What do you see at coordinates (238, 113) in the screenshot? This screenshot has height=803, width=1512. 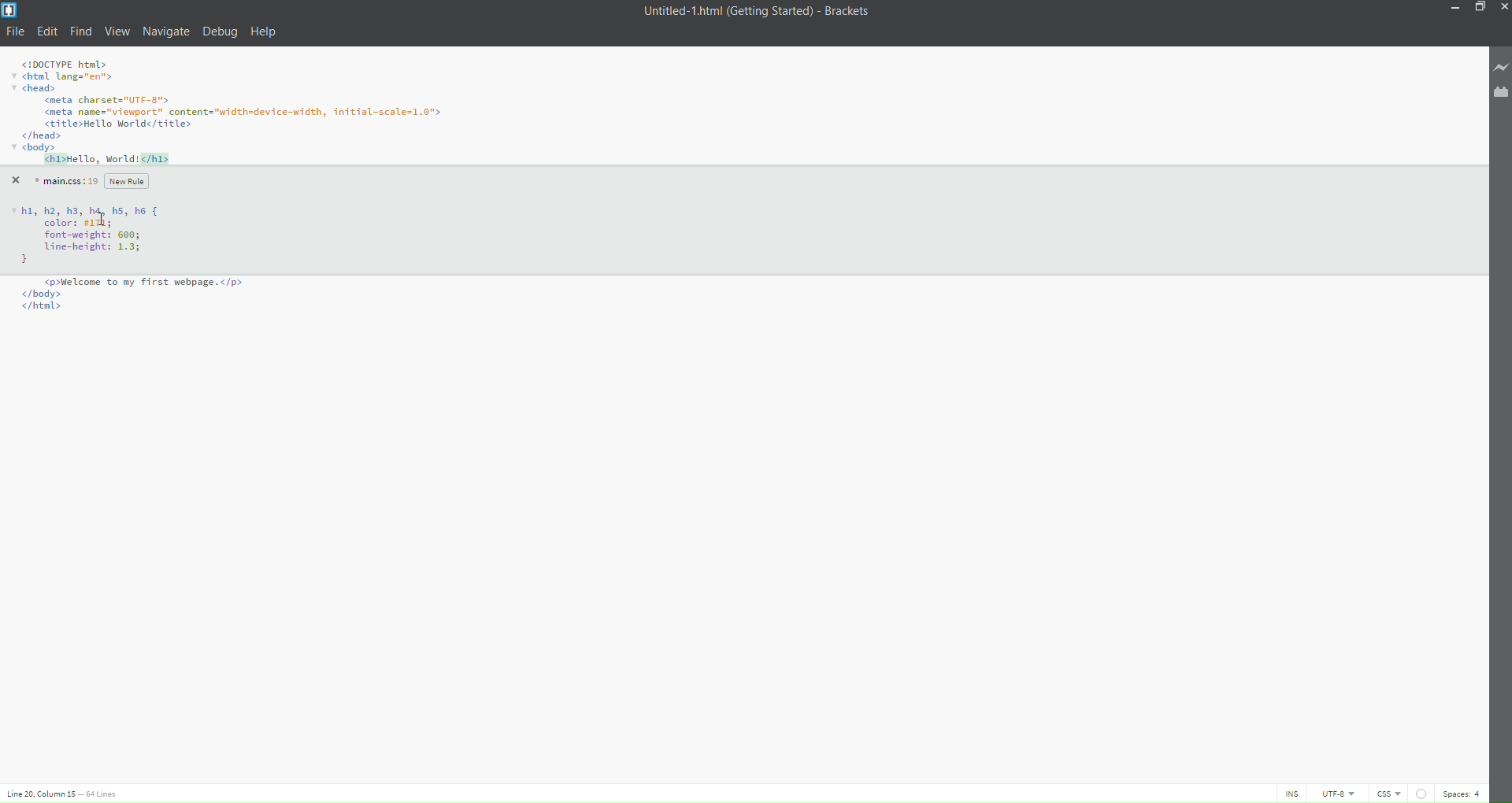 I see `code` at bounding box center [238, 113].